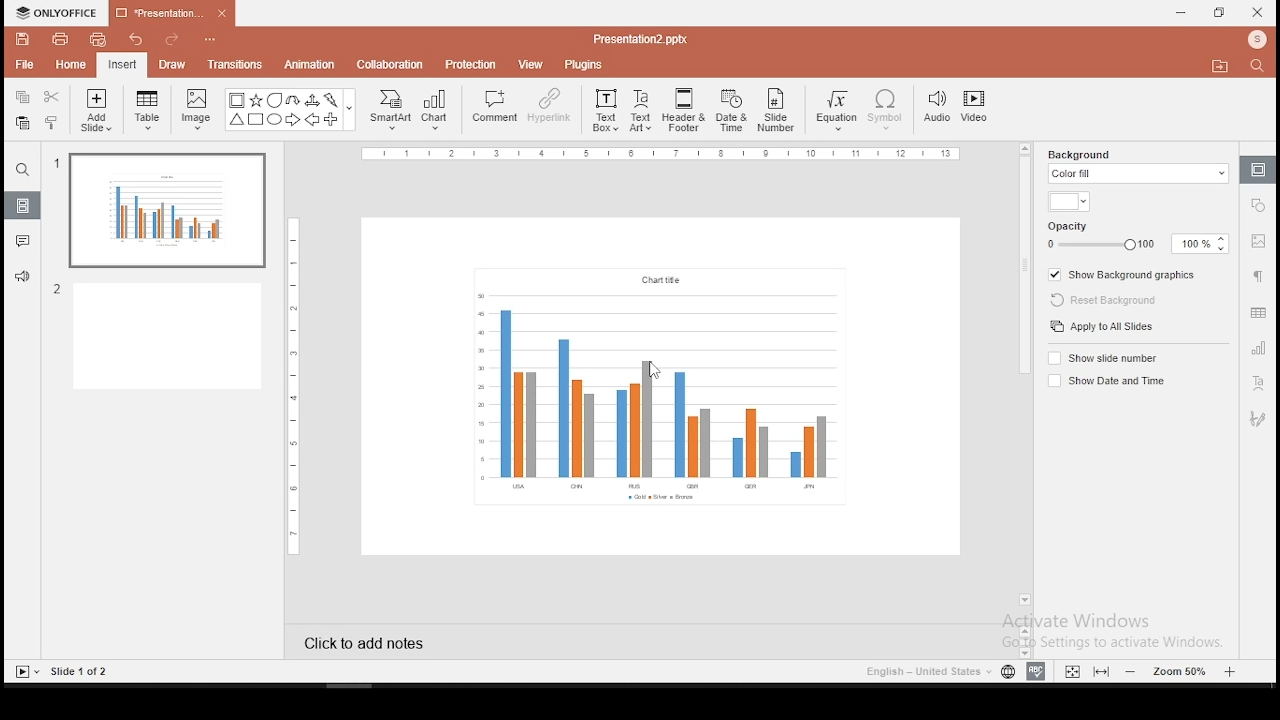 The image size is (1280, 720). What do you see at coordinates (838, 110) in the screenshot?
I see `equation` at bounding box center [838, 110].